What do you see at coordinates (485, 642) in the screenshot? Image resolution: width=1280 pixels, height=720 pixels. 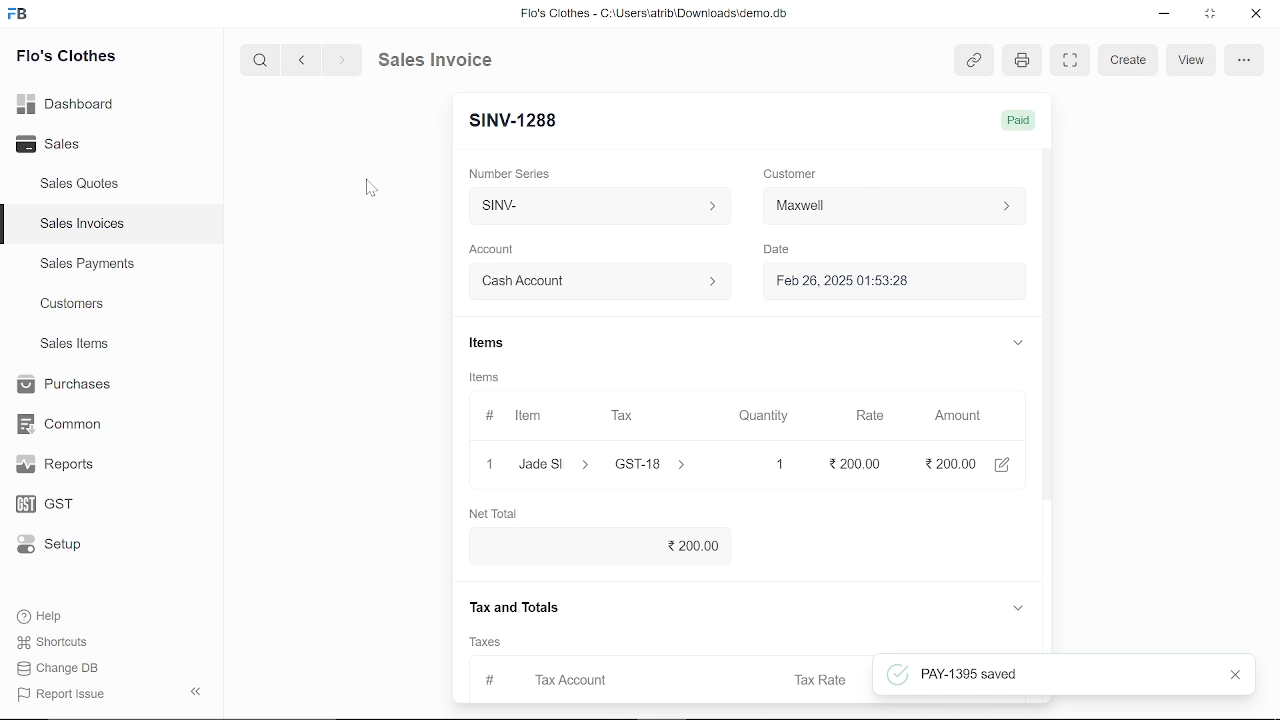 I see `‘Taxes` at bounding box center [485, 642].